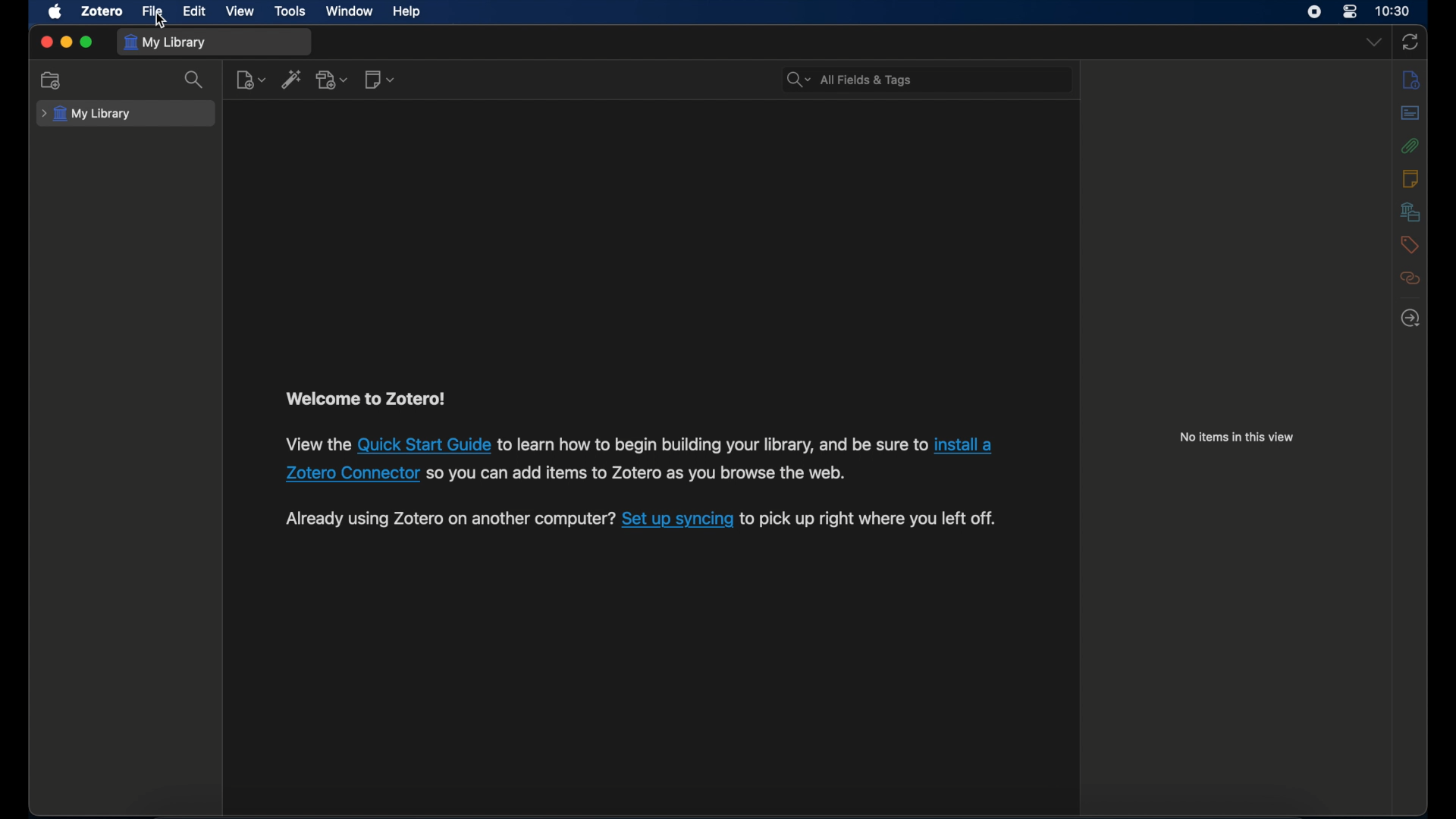 Image resolution: width=1456 pixels, height=819 pixels. What do you see at coordinates (425, 443) in the screenshot?
I see `guide` at bounding box center [425, 443].